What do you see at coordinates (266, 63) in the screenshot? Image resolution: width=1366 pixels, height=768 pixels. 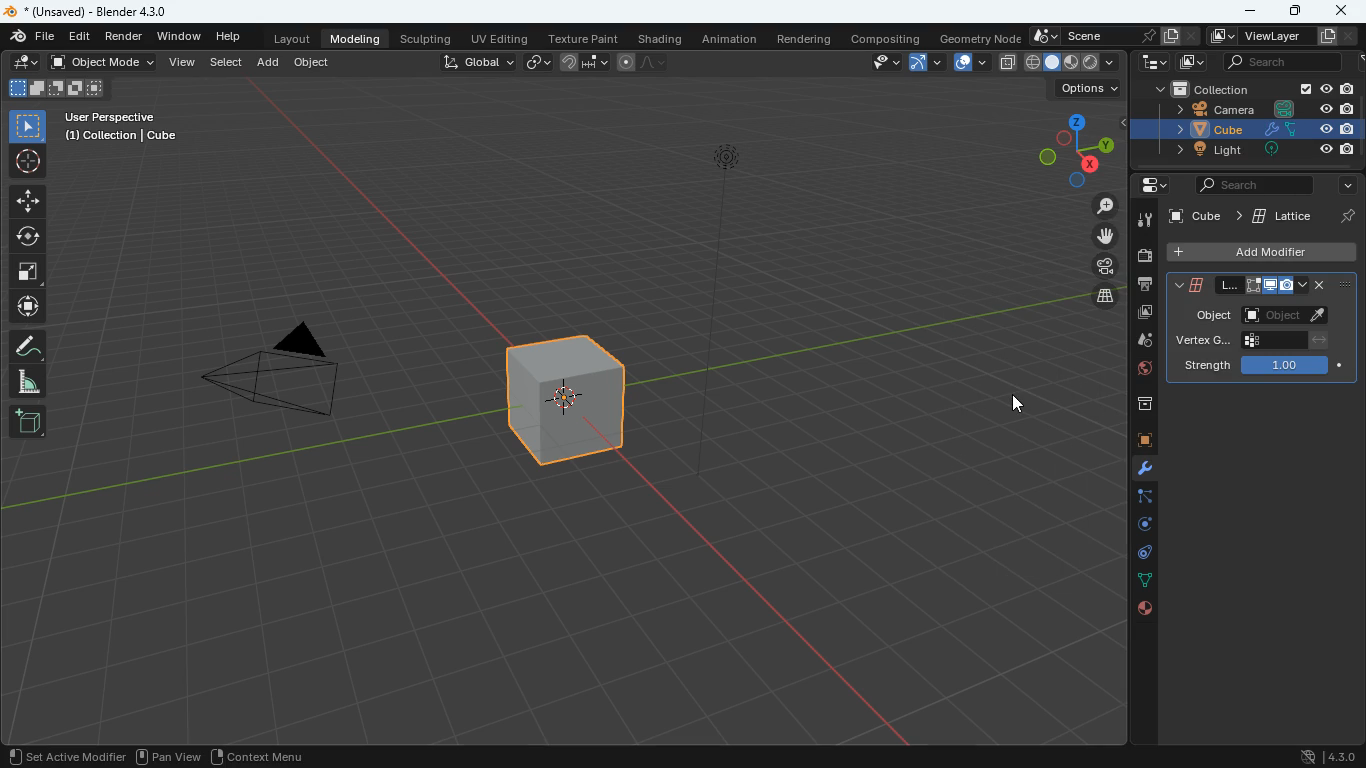 I see `add` at bounding box center [266, 63].